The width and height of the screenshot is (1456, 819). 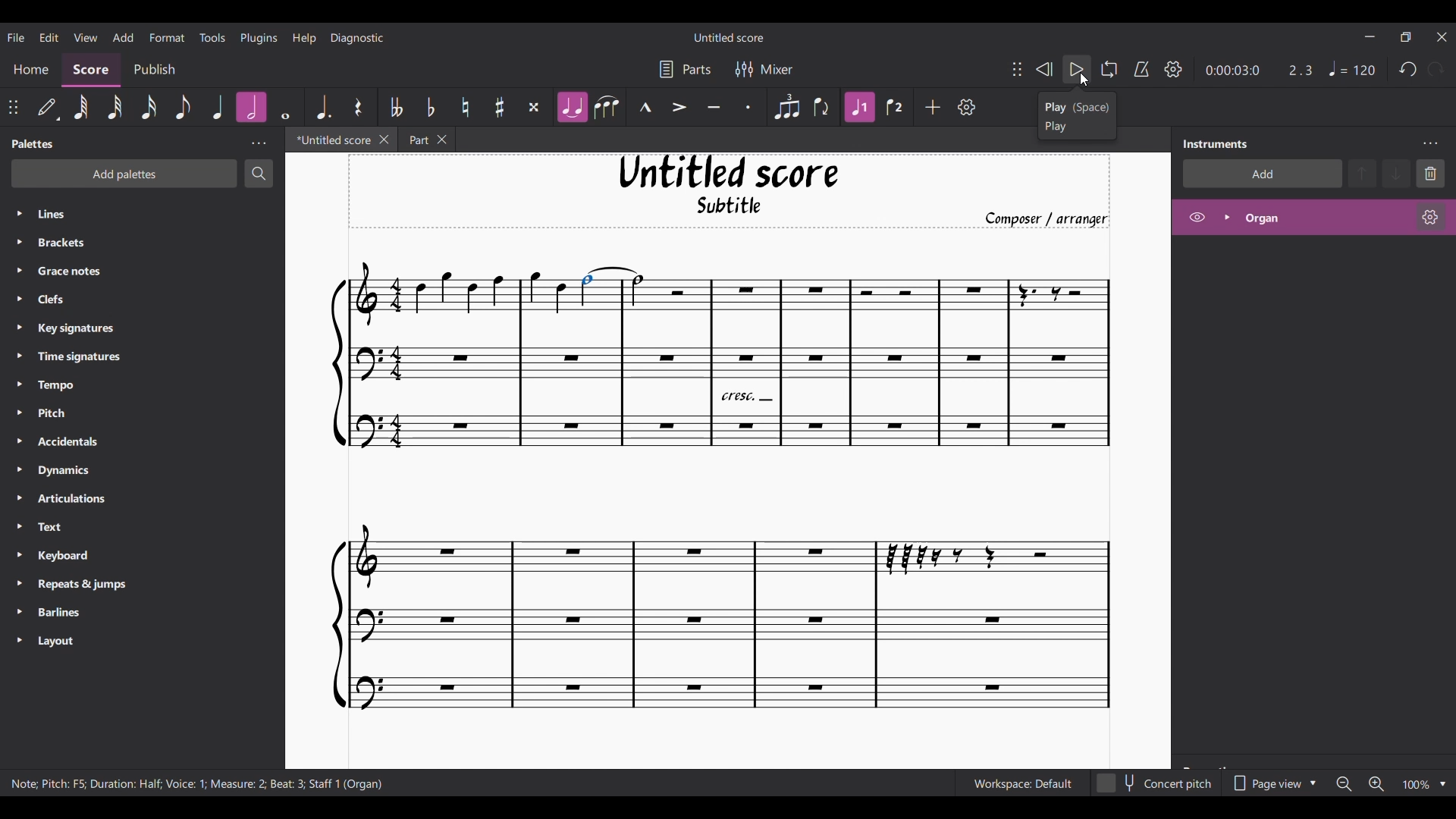 What do you see at coordinates (713, 108) in the screenshot?
I see `Tenuto` at bounding box center [713, 108].